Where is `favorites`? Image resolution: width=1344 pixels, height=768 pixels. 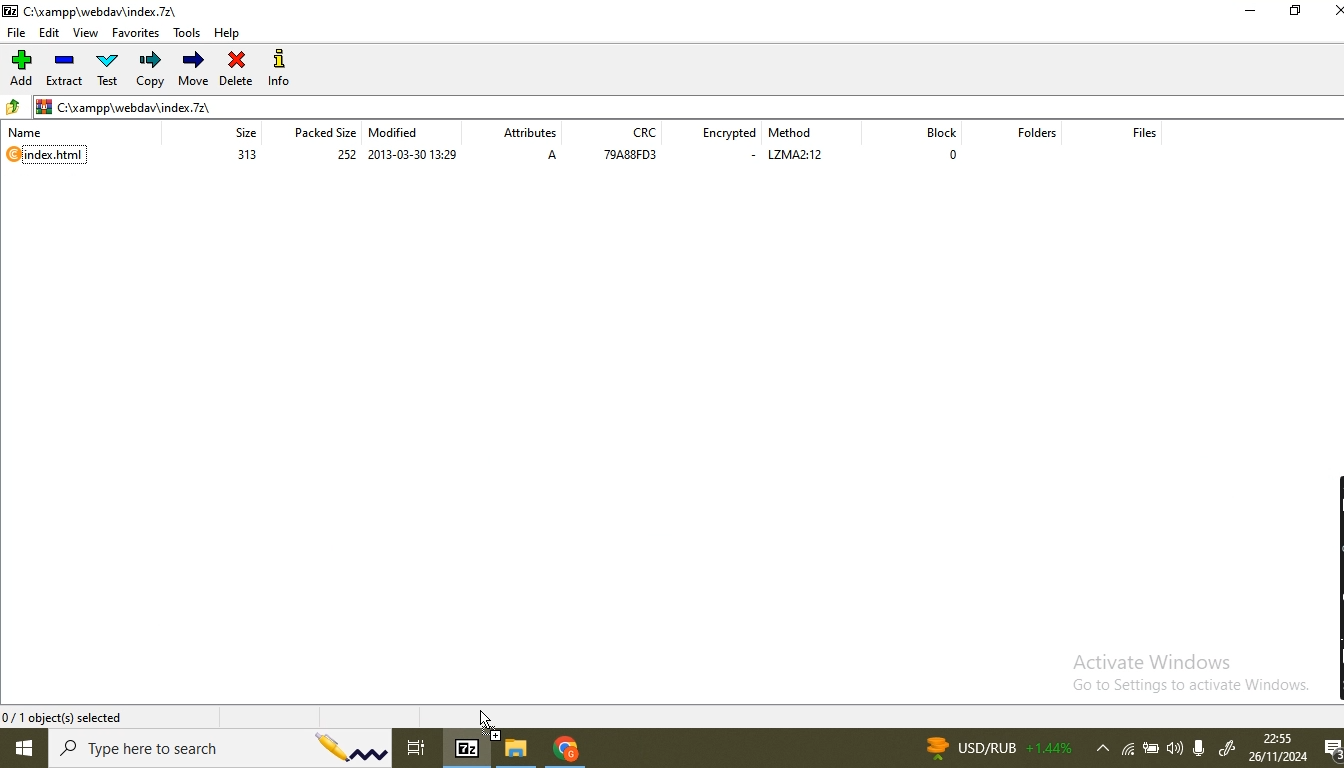 favorites is located at coordinates (137, 33).